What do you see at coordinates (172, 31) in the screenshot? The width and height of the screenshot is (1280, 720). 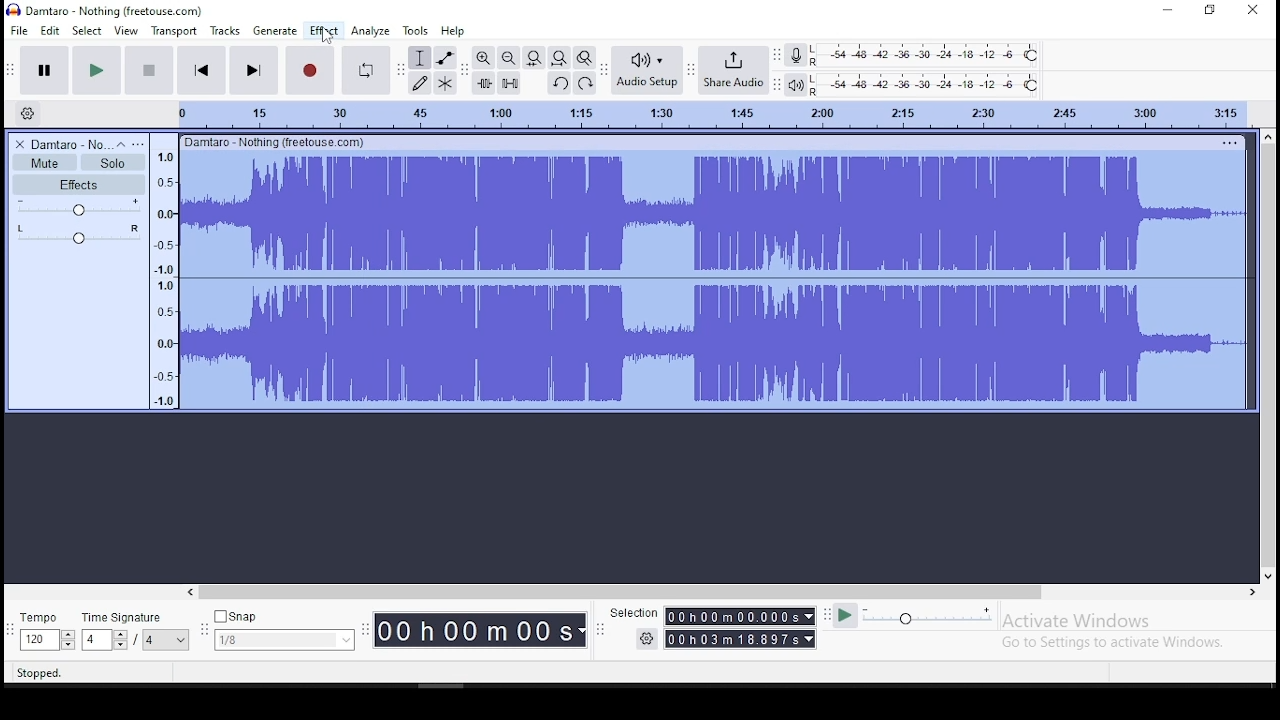 I see `transport` at bounding box center [172, 31].